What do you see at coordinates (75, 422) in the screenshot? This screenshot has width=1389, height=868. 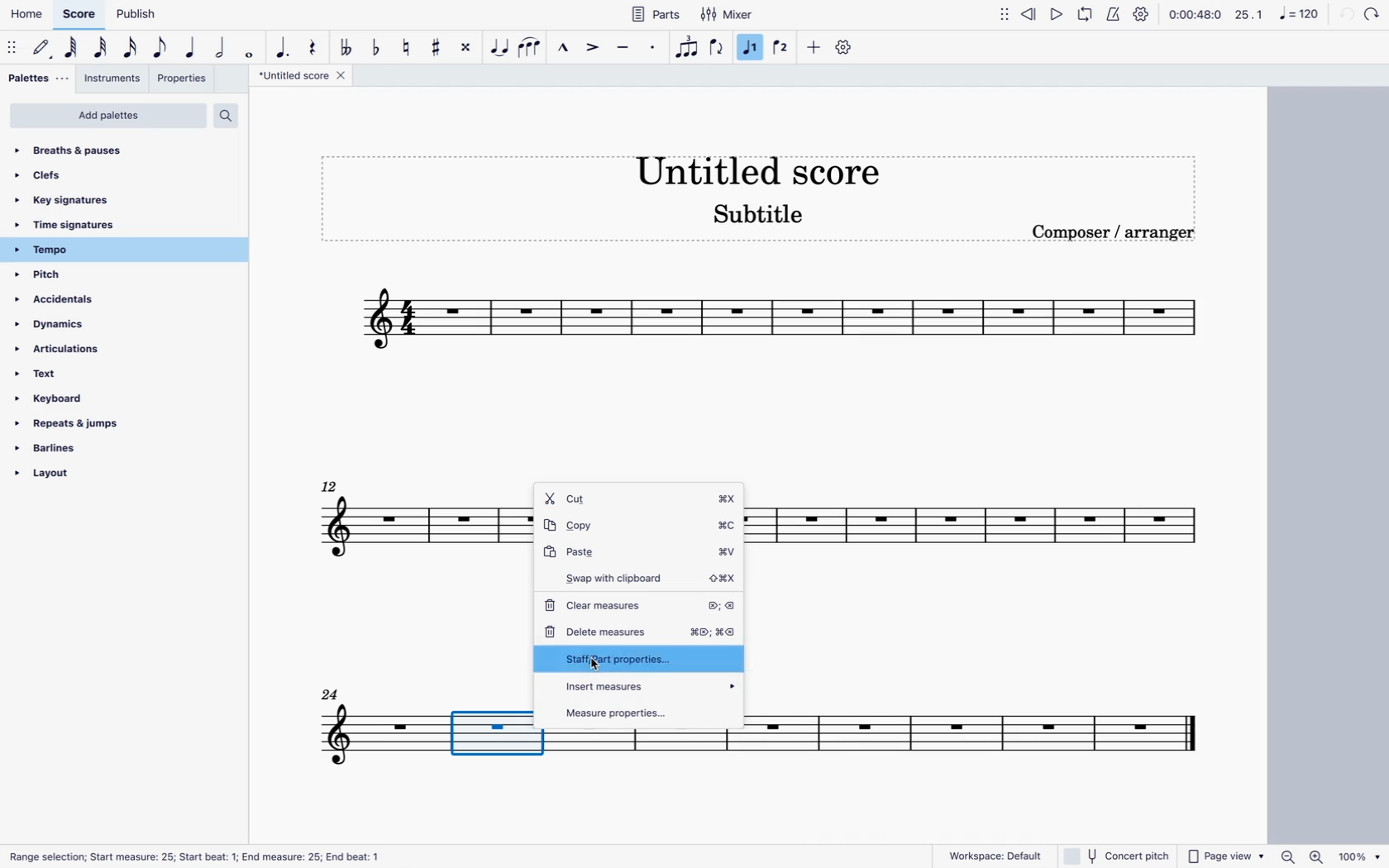 I see `repeats & jumps` at bounding box center [75, 422].